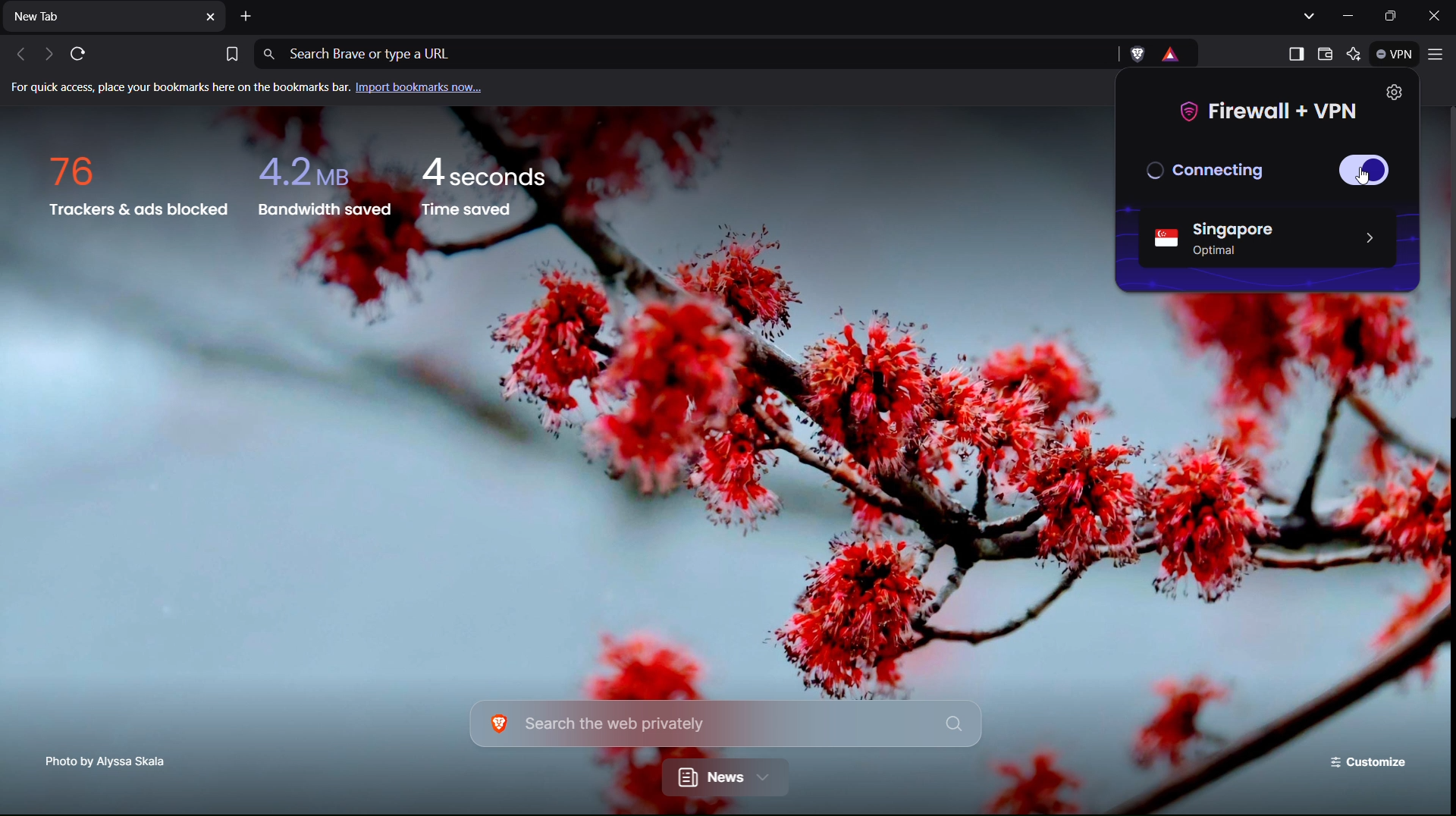 This screenshot has width=1456, height=816. I want to click on Time saved, so click(485, 189).